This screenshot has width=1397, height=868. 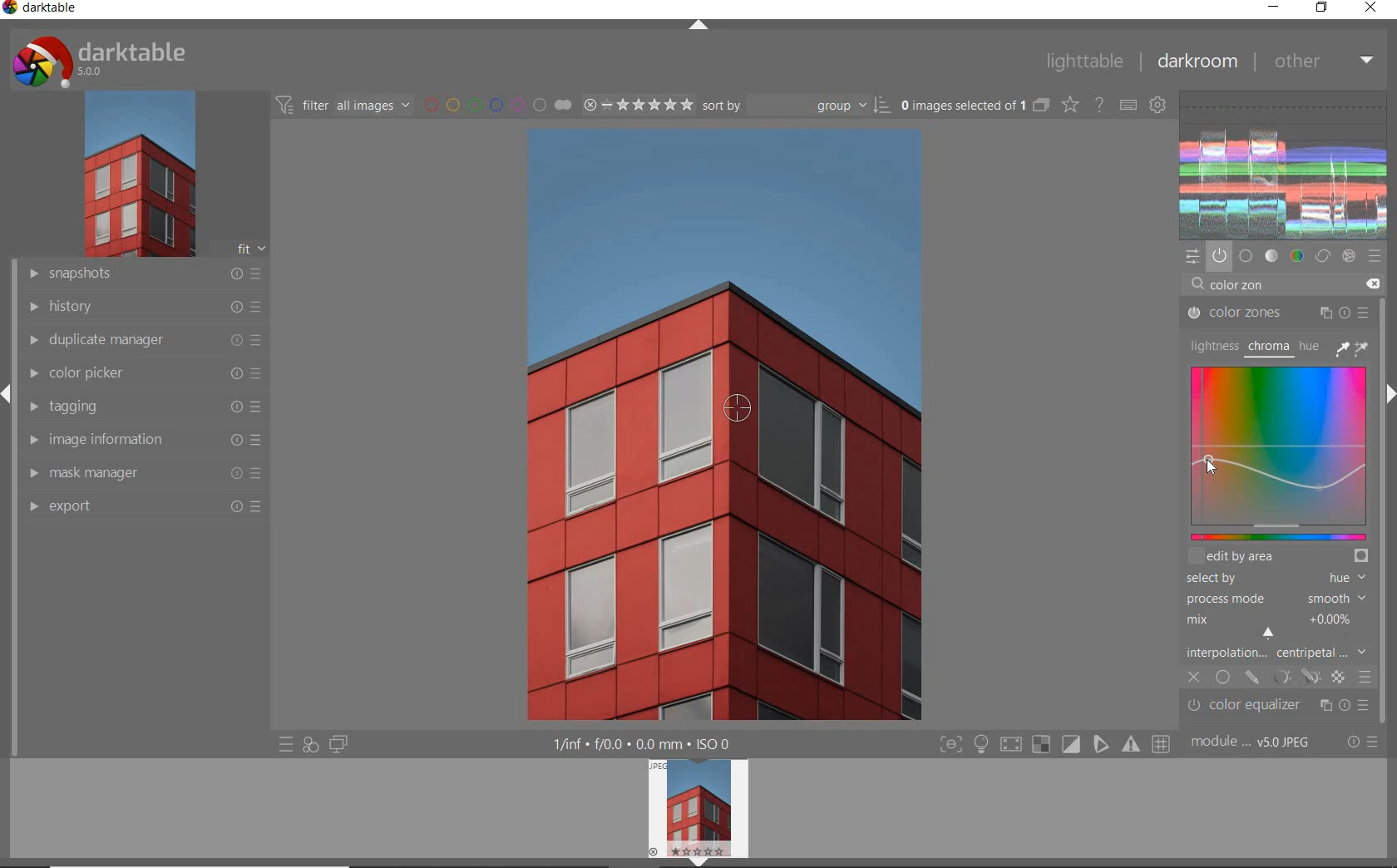 What do you see at coordinates (639, 104) in the screenshot?
I see `selected Image range rating` at bounding box center [639, 104].